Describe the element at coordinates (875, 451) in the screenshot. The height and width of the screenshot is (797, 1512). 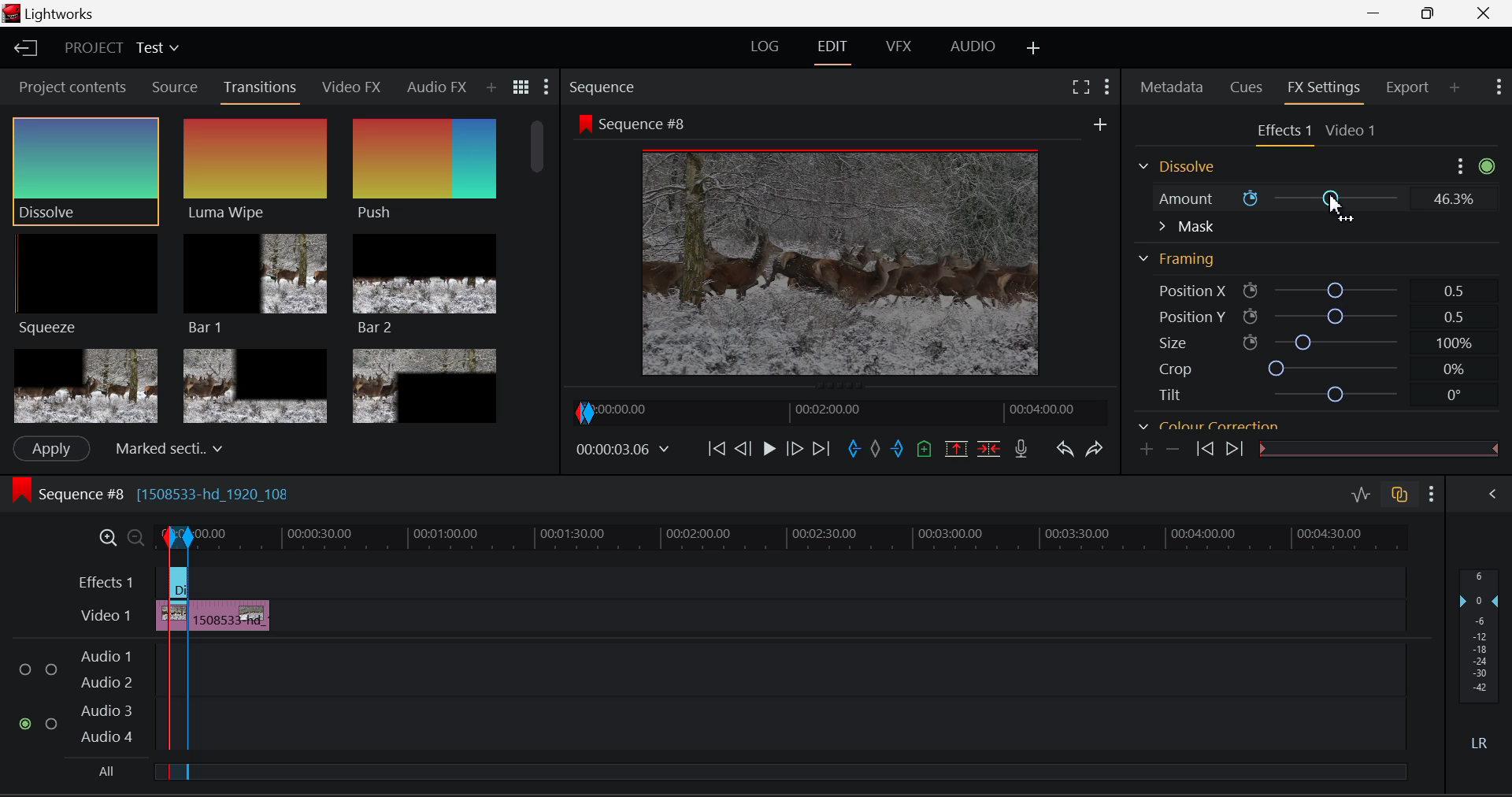
I see `Remove all marks` at that location.